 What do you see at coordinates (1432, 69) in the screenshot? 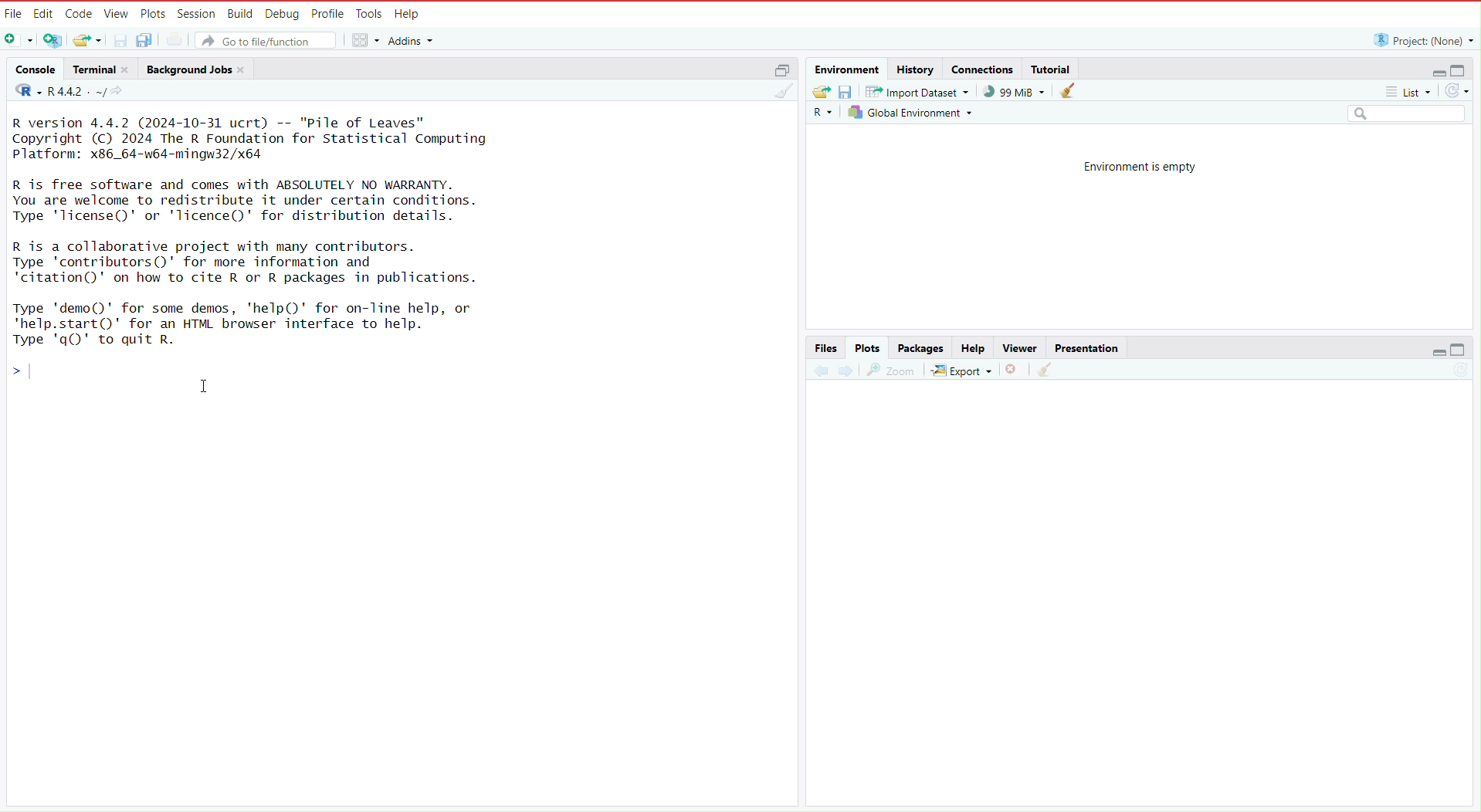
I see `minimize` at bounding box center [1432, 69].